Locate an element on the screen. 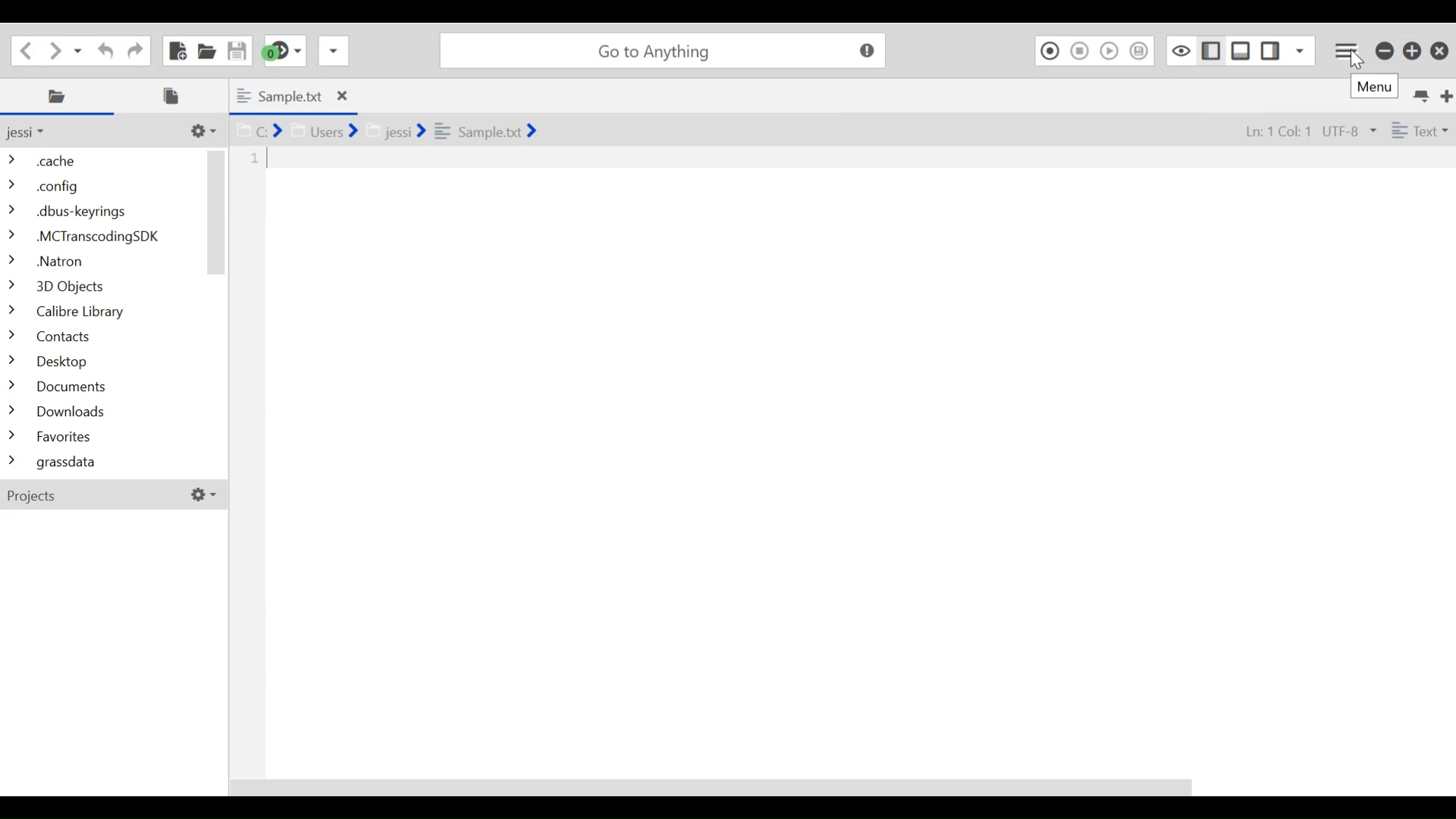 The width and height of the screenshot is (1456, 819). Application menu is located at coordinates (1348, 49).